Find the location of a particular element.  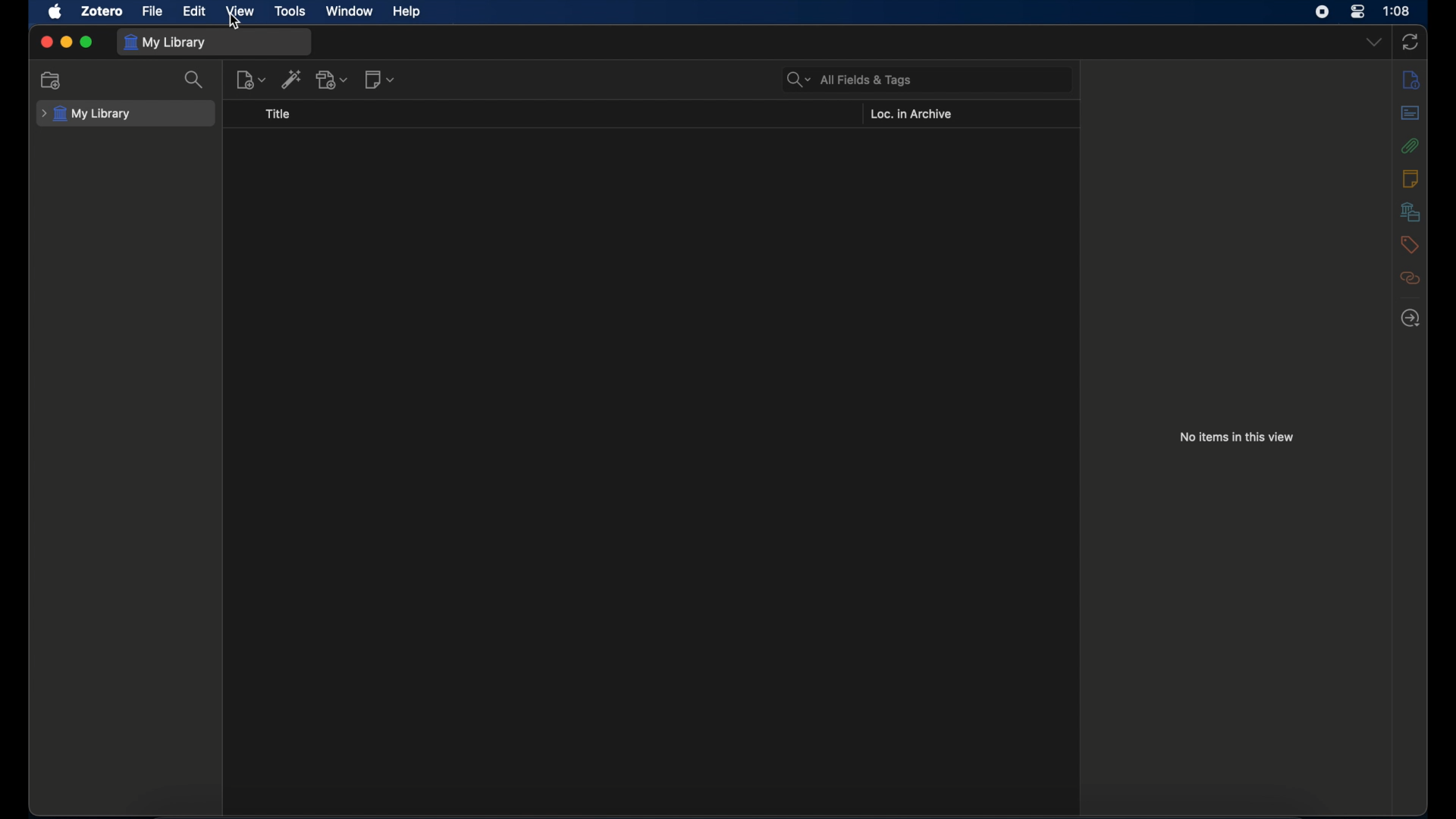

apple is located at coordinates (56, 12).